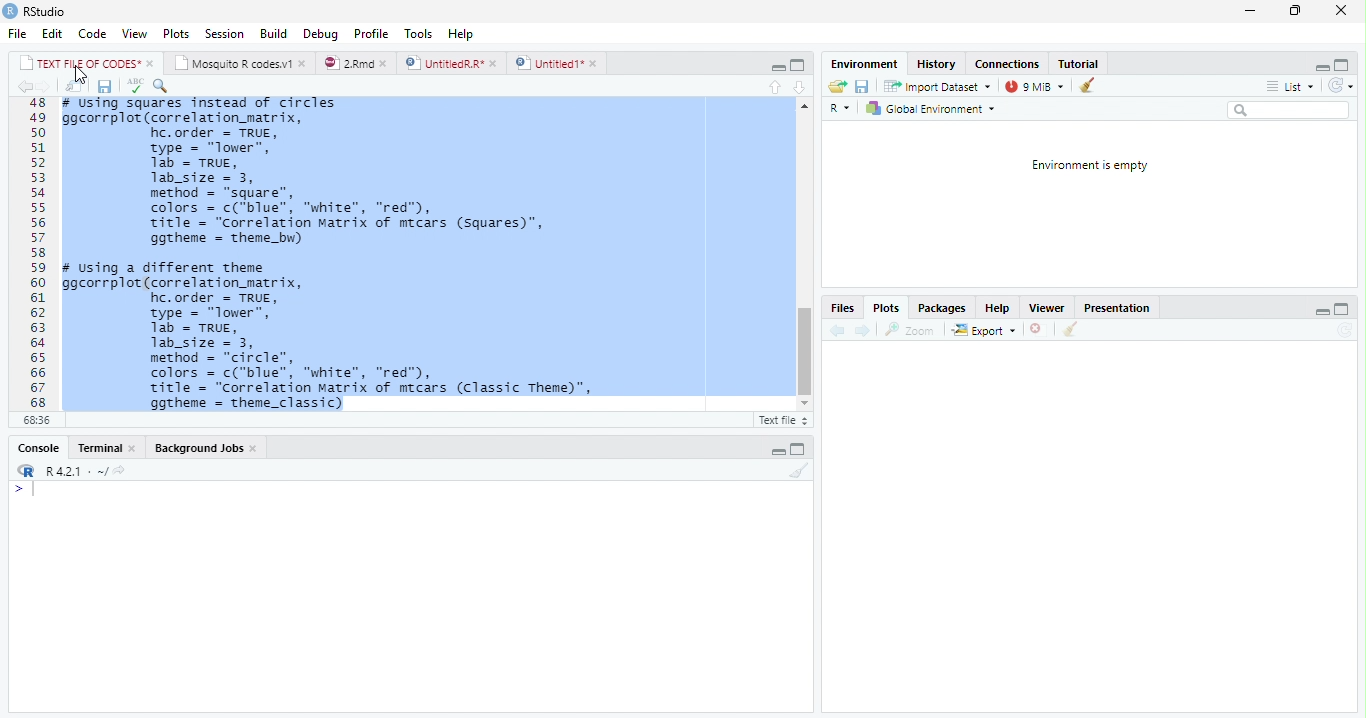 The image size is (1366, 718). What do you see at coordinates (1089, 166) in the screenshot?
I see `Environment is empty` at bounding box center [1089, 166].